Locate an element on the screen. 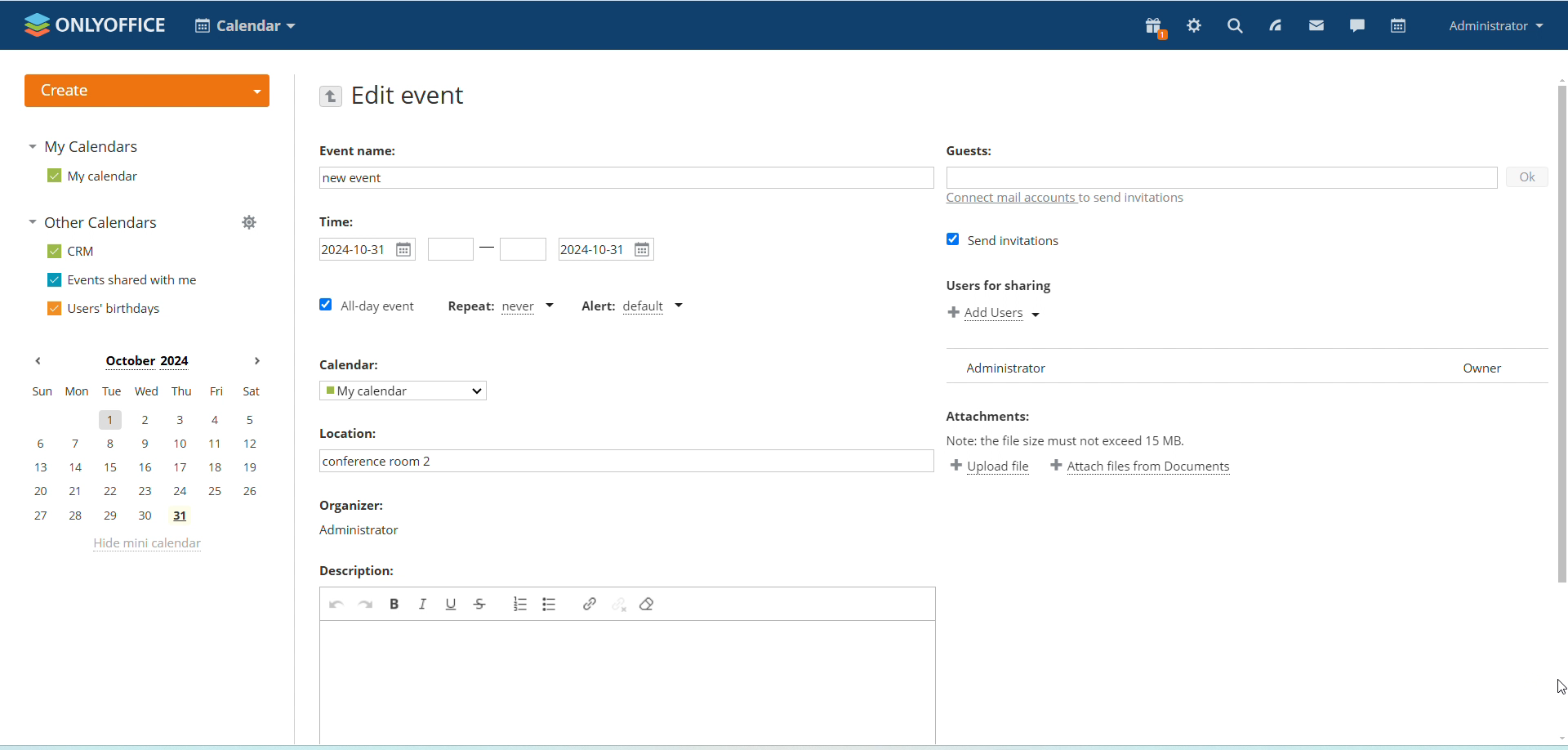 This screenshot has width=1568, height=750. send invitations is located at coordinates (1003, 241).